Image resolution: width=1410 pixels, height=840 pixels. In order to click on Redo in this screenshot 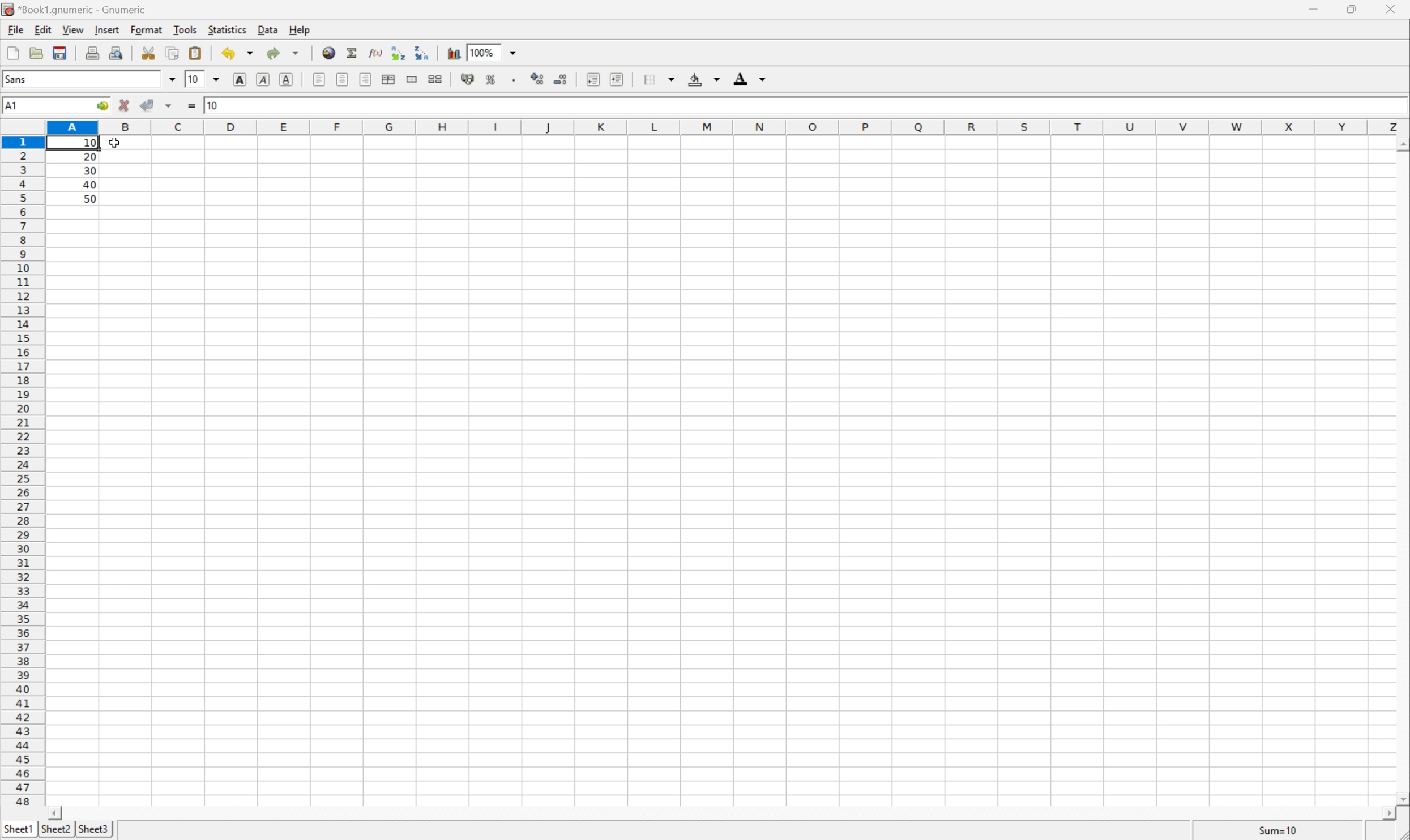, I will do `click(282, 53)`.